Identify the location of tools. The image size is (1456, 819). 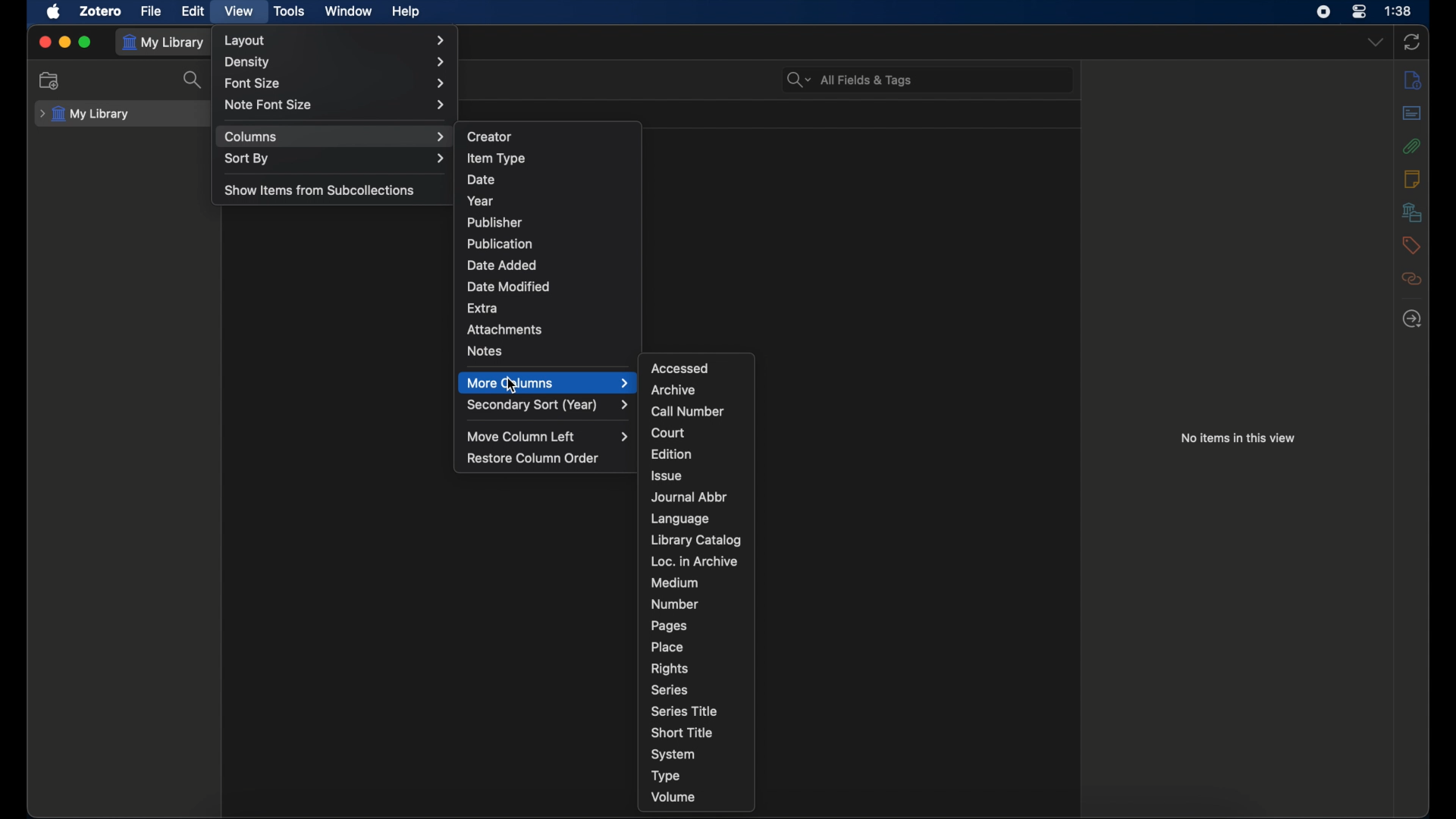
(288, 11).